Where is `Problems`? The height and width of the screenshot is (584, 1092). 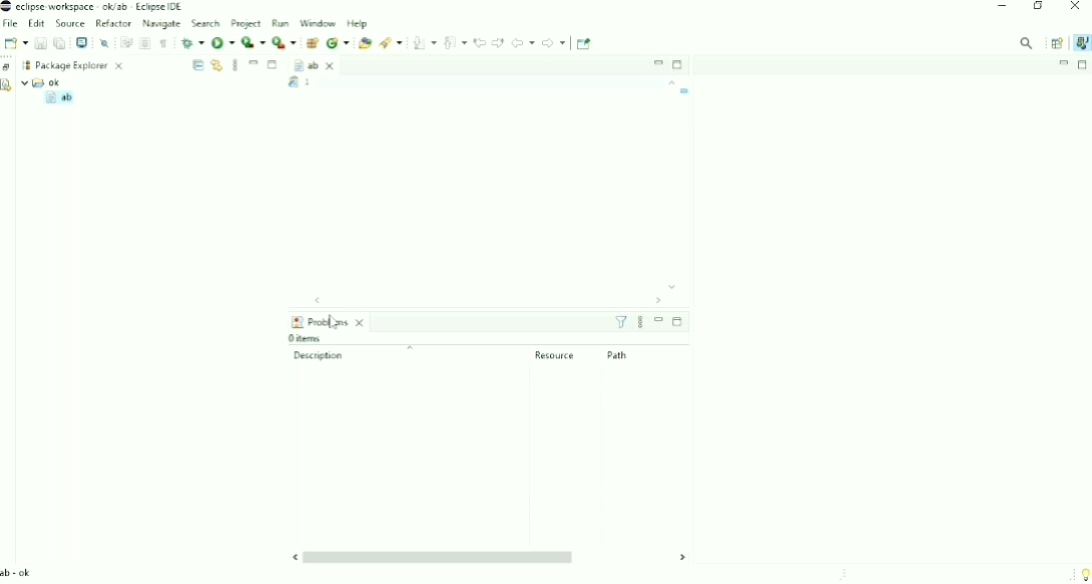
Problems is located at coordinates (329, 321).